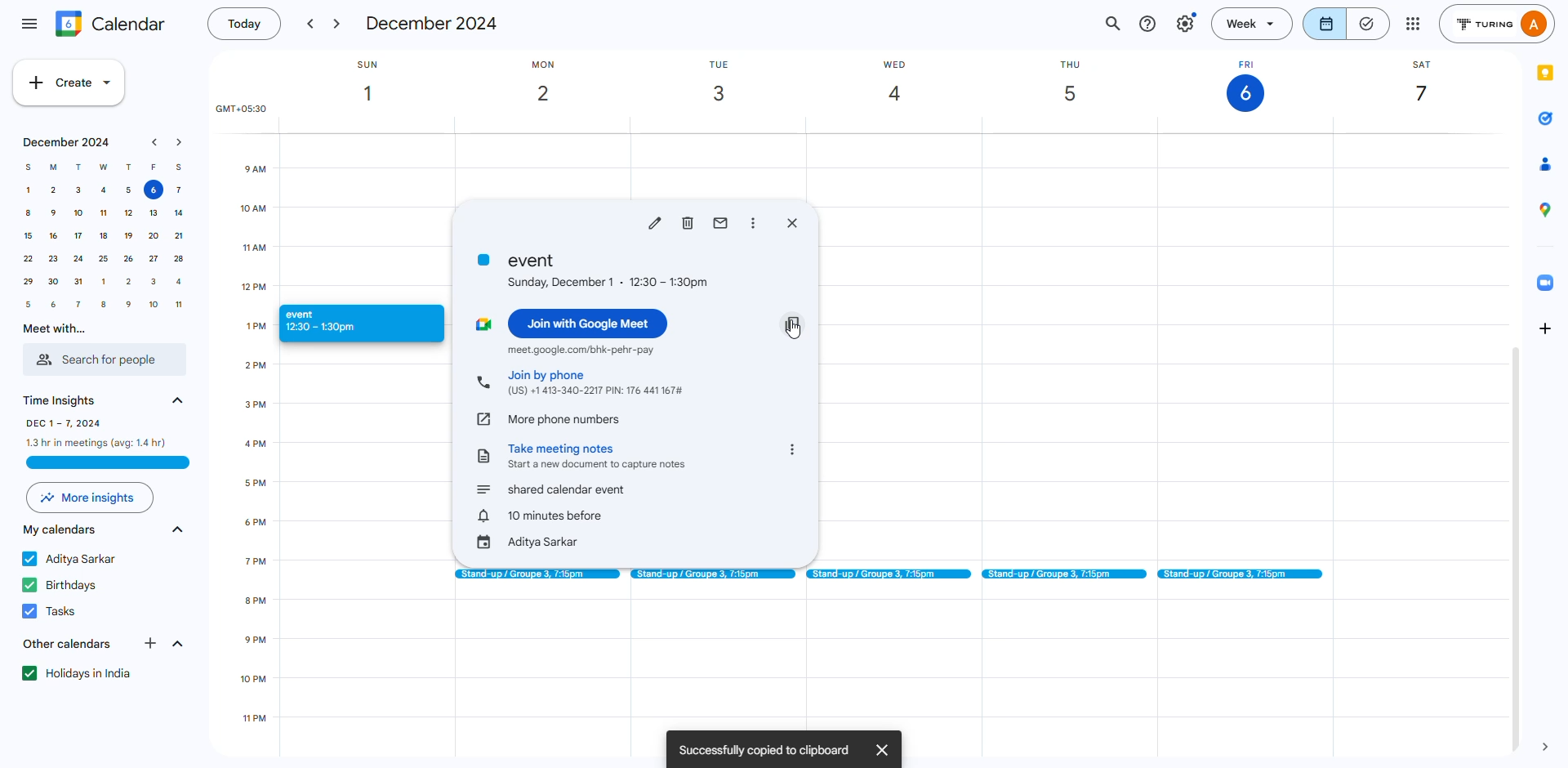 Image resolution: width=1568 pixels, height=768 pixels. Describe the element at coordinates (78, 166) in the screenshot. I see `T` at that location.